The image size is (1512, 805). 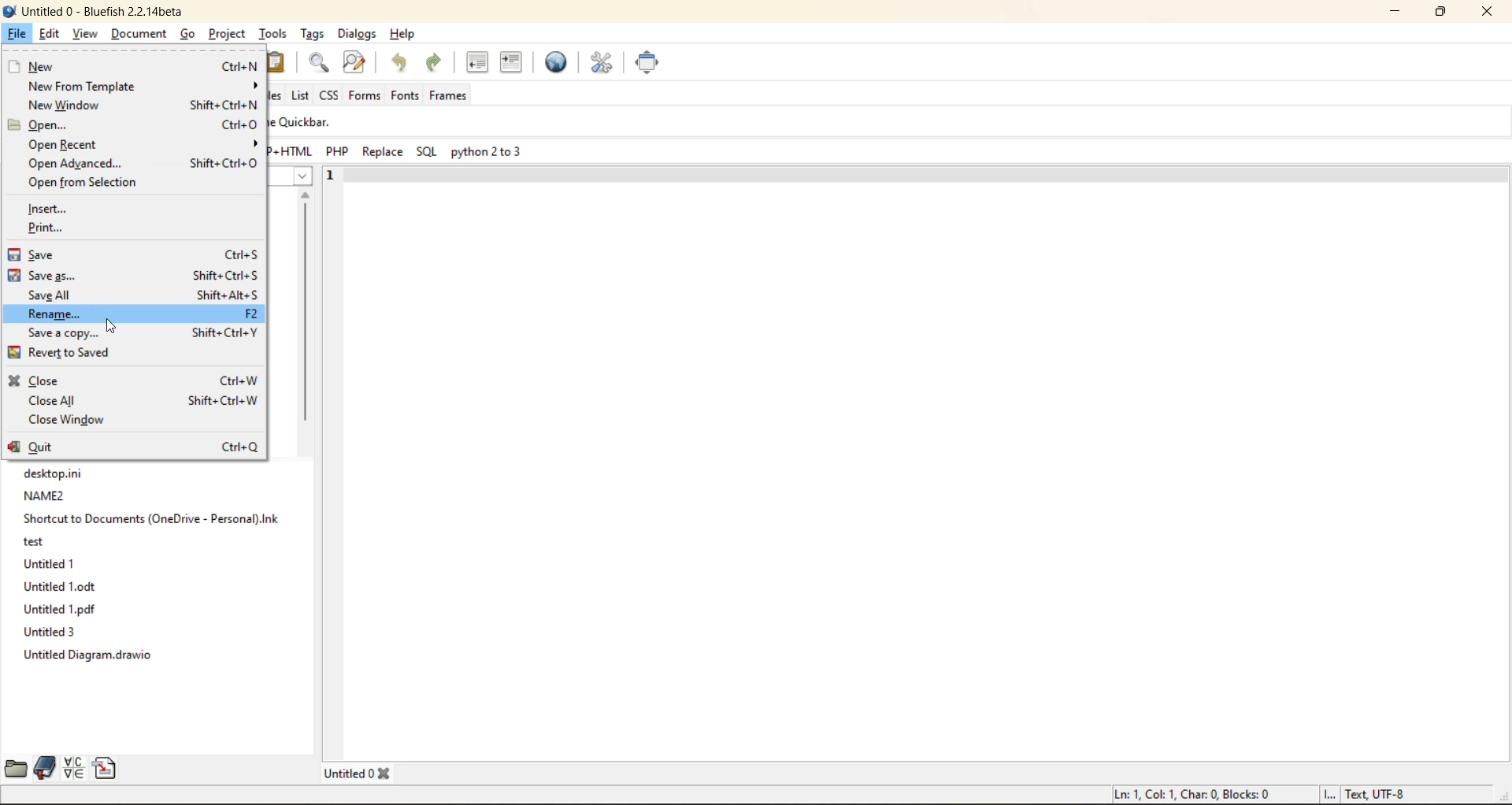 What do you see at coordinates (16, 768) in the screenshot?
I see `file browser` at bounding box center [16, 768].